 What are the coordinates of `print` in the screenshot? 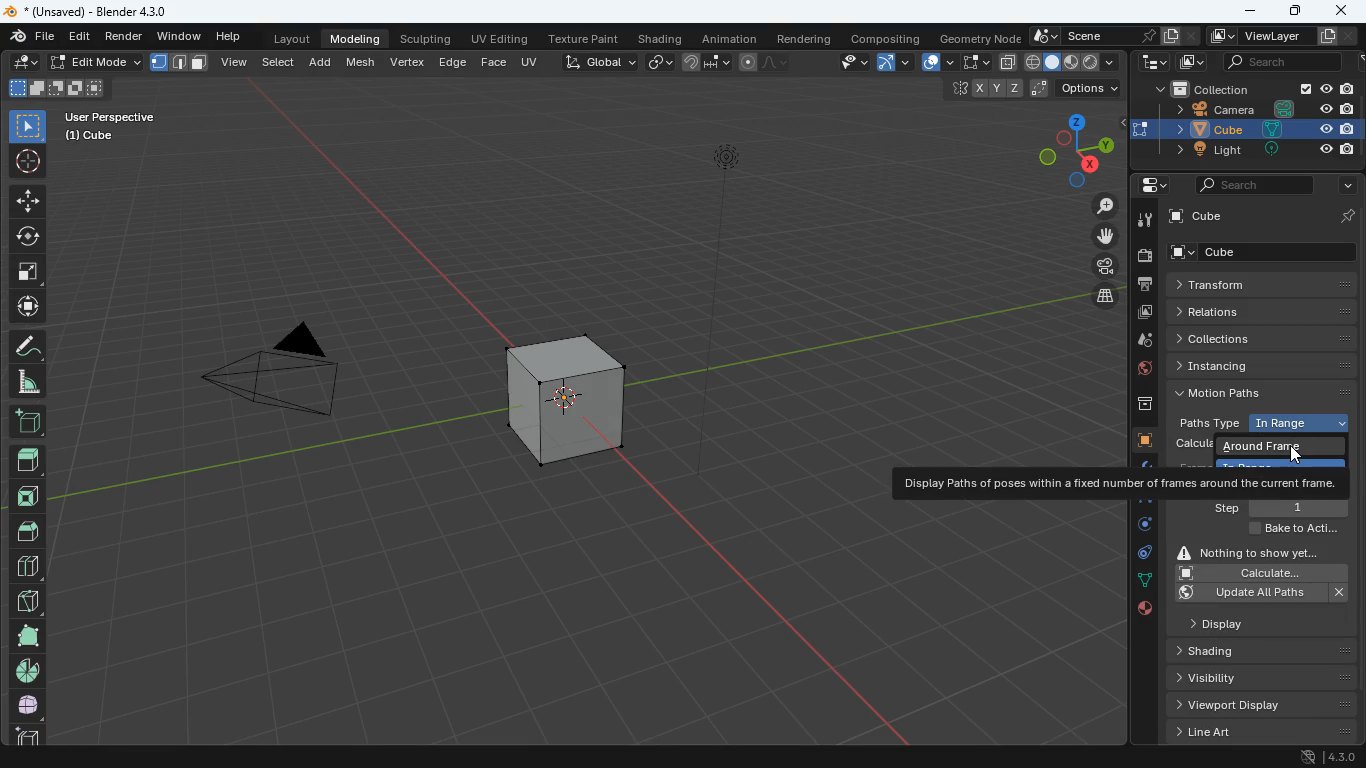 It's located at (1144, 285).